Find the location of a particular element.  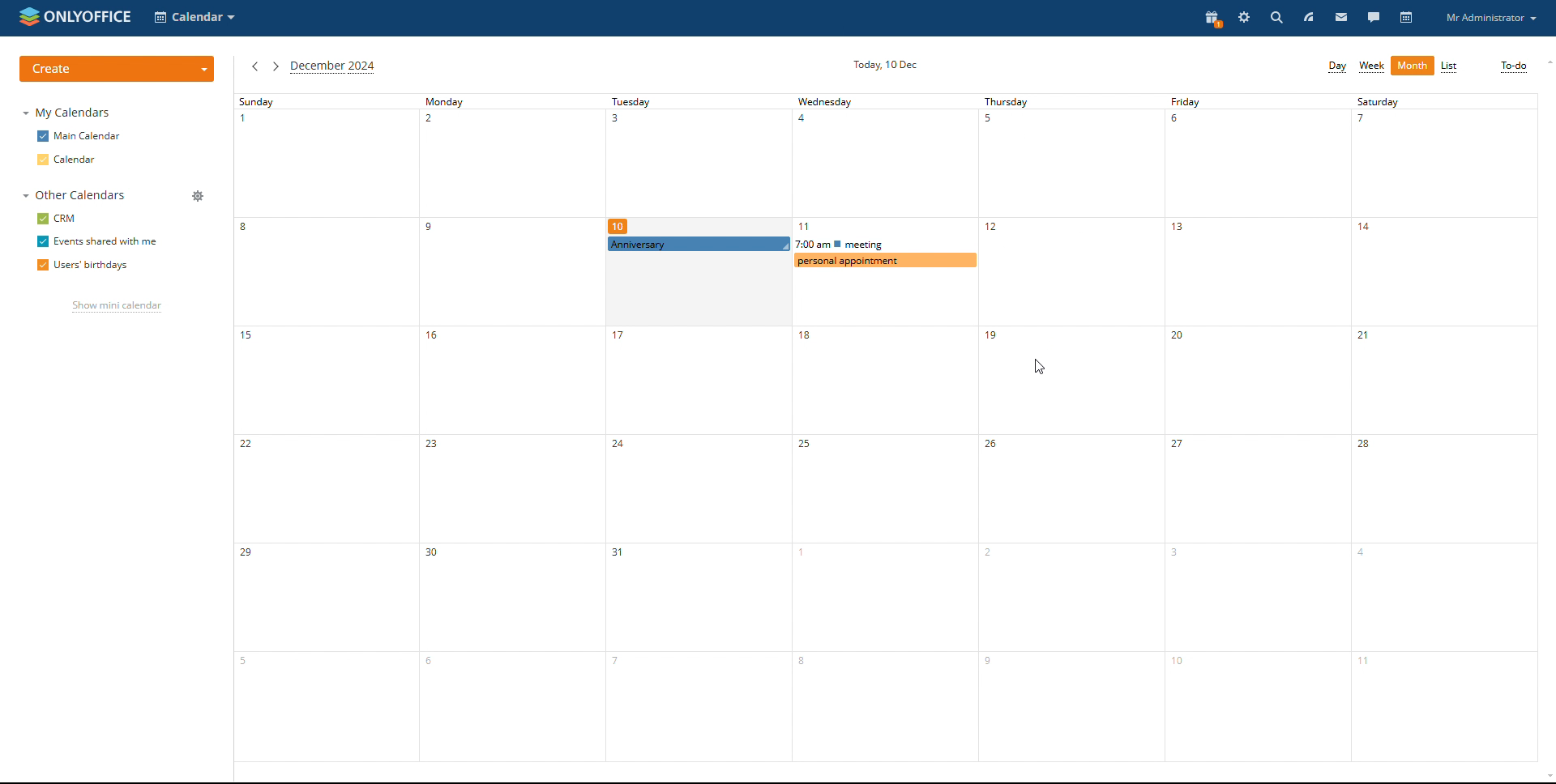

crm is located at coordinates (56, 219).